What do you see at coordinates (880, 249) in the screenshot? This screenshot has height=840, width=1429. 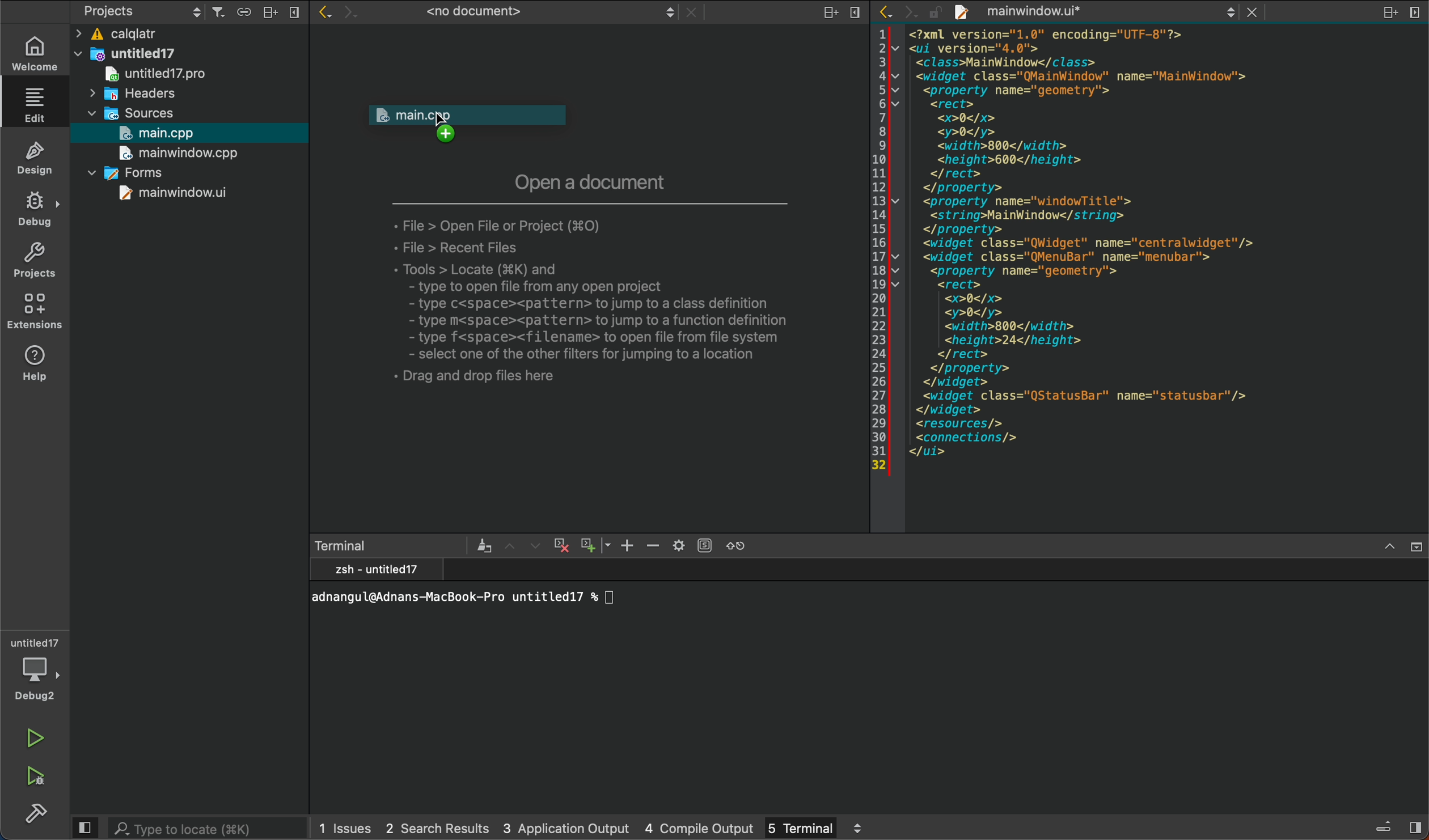 I see `line number` at bounding box center [880, 249].